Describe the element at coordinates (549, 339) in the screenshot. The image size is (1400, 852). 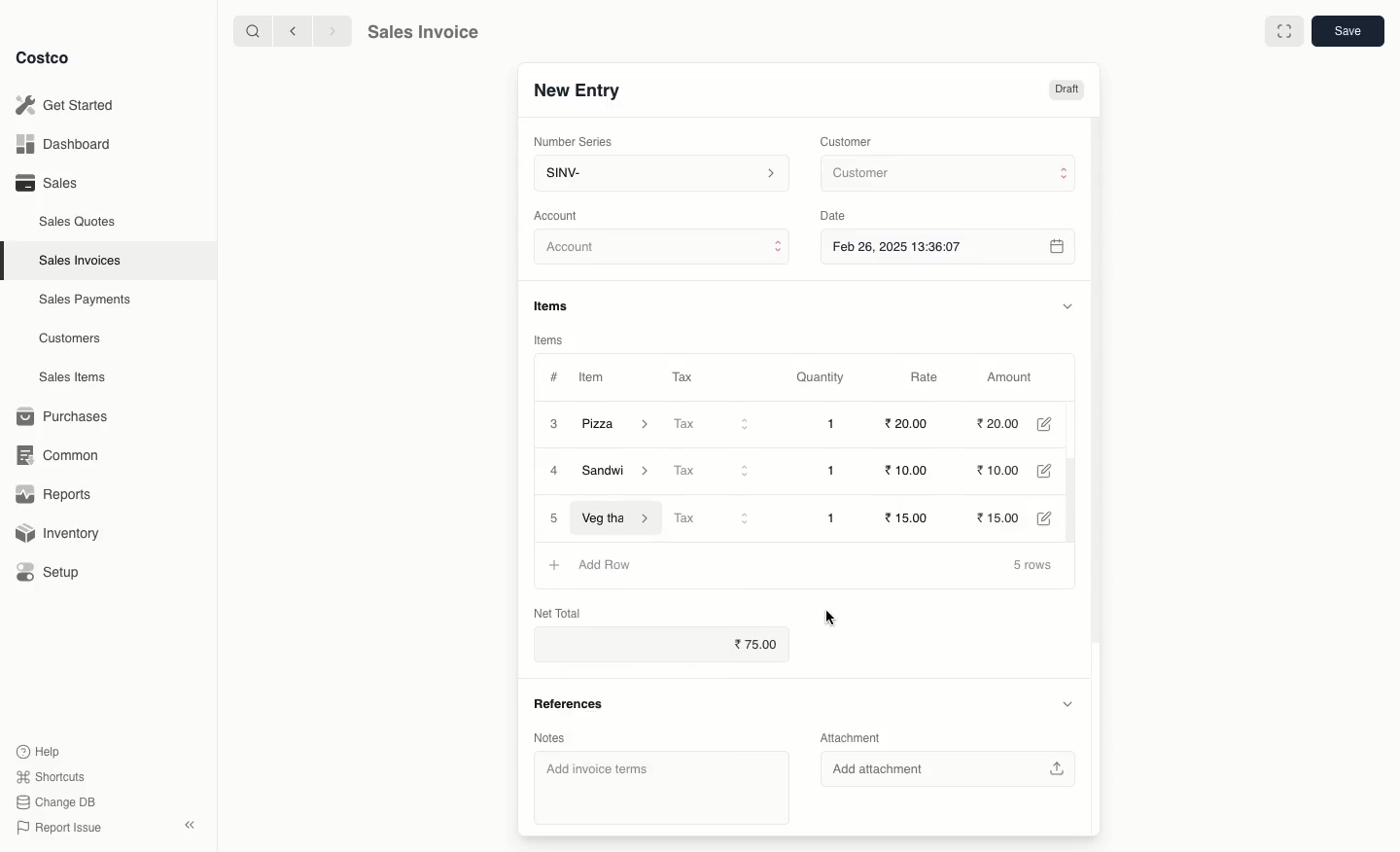
I see `Items` at that location.